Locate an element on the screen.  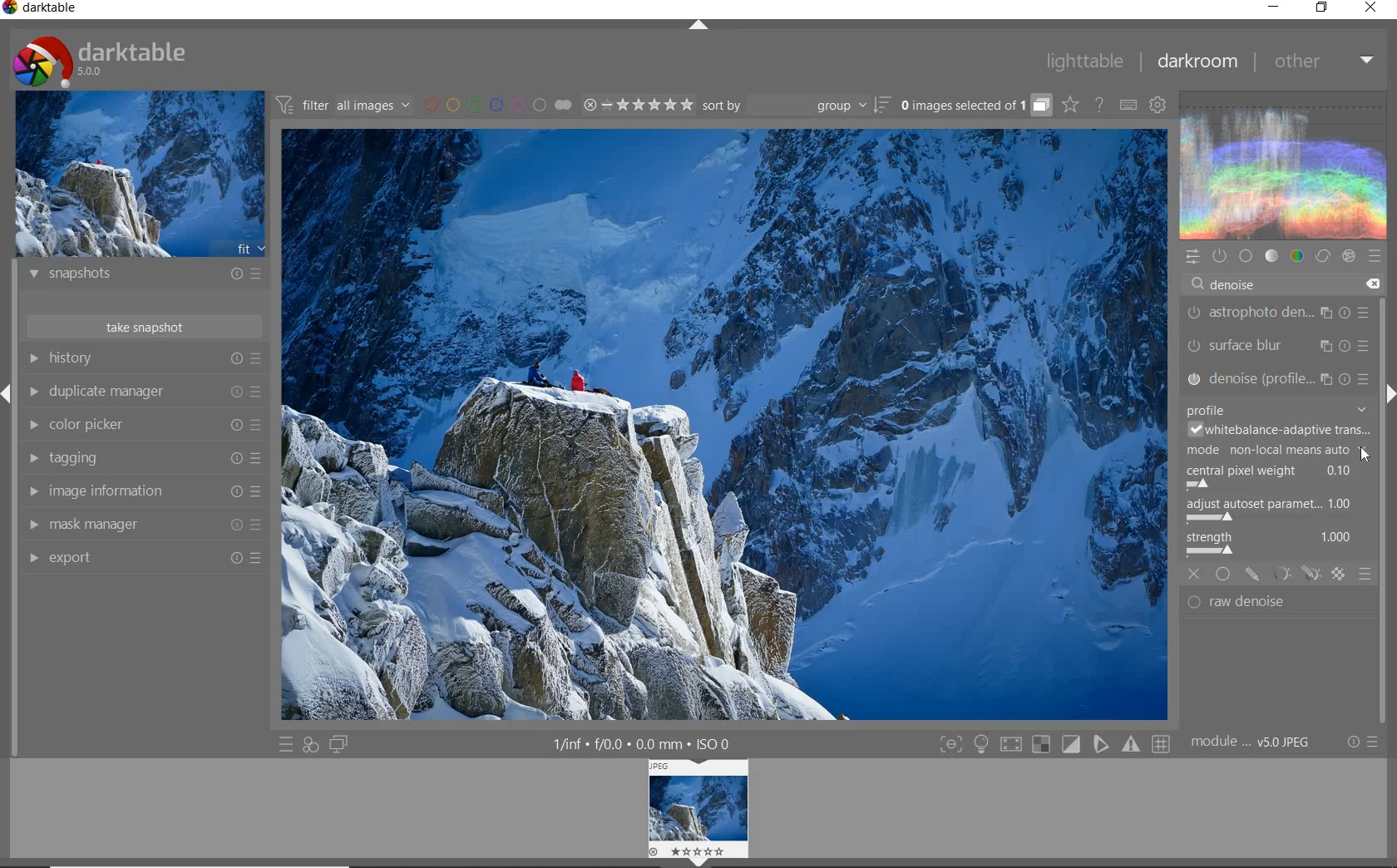
Darktable is located at coordinates (42, 11).